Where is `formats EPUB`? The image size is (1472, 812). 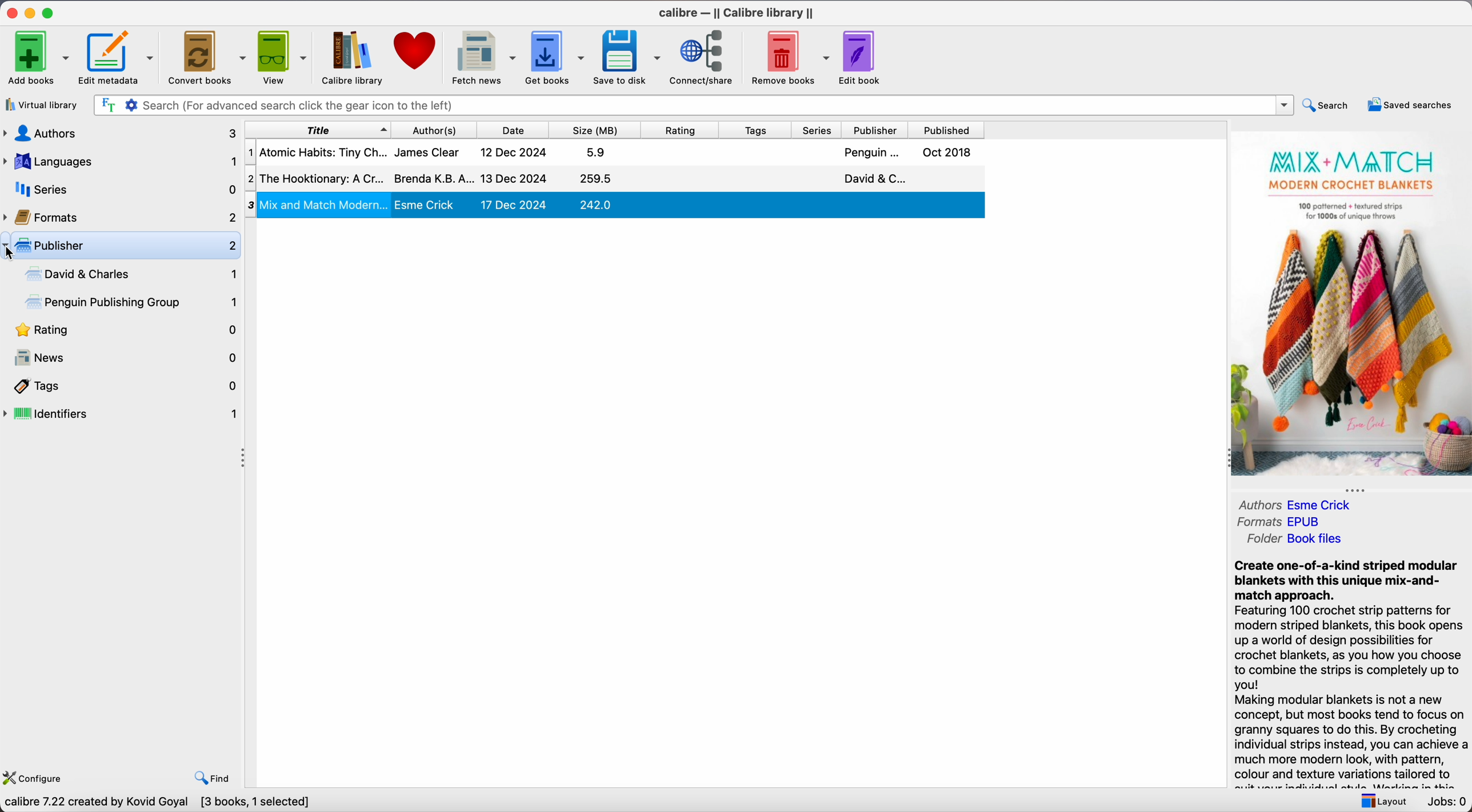 formats EPUB is located at coordinates (1284, 521).